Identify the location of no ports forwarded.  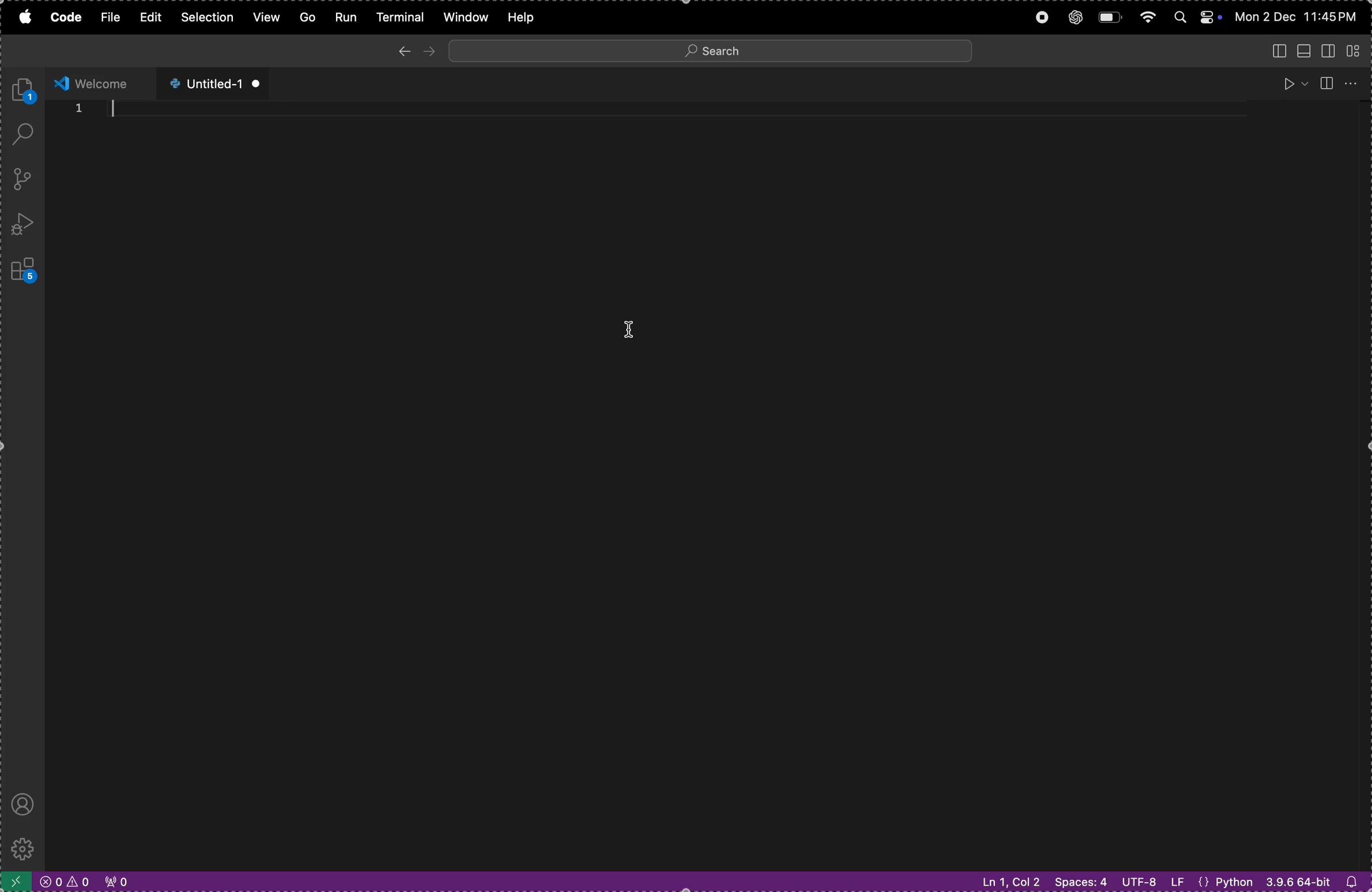
(115, 882).